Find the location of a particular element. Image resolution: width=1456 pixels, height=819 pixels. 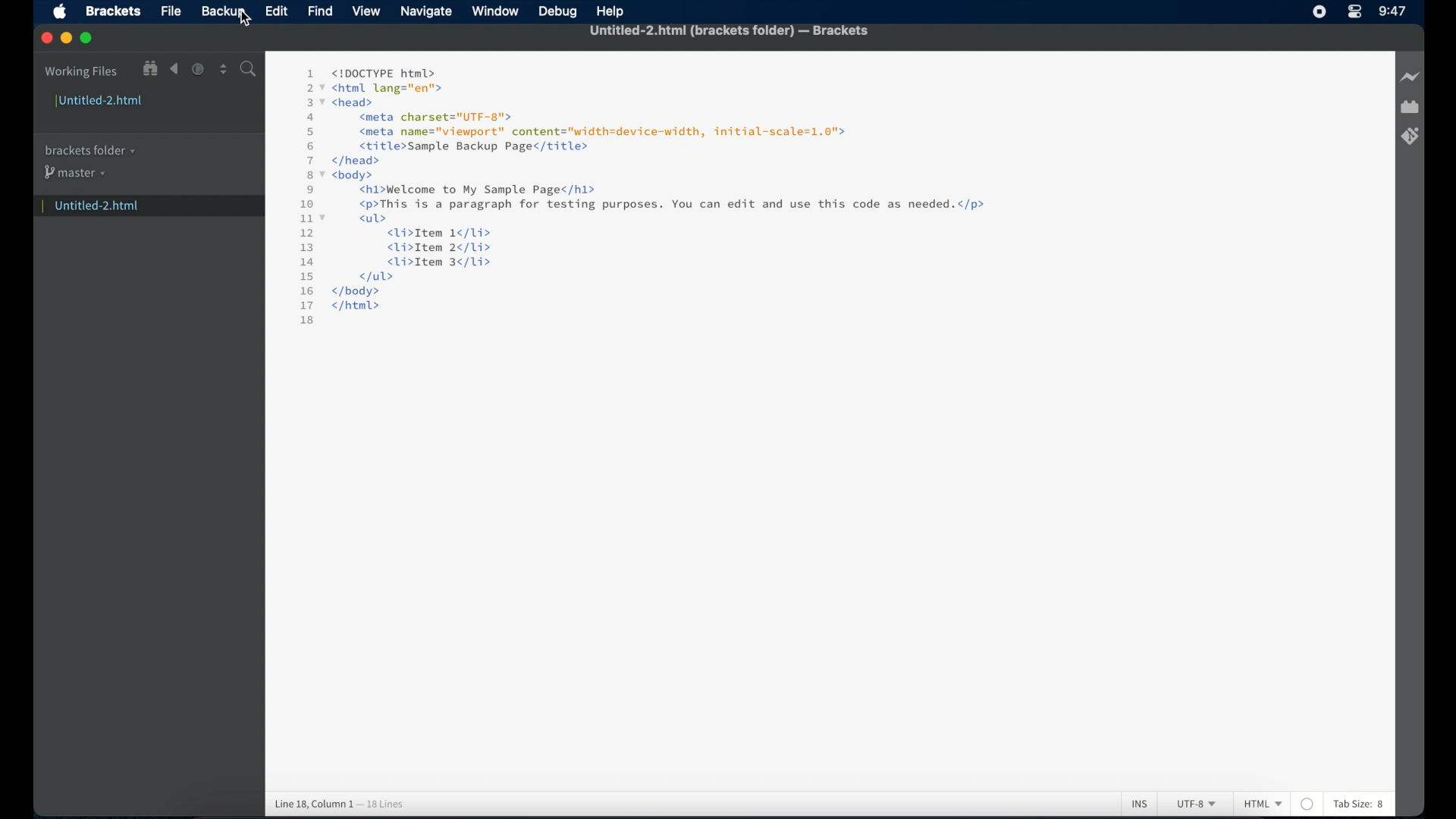

9:47 is located at coordinates (1392, 11).